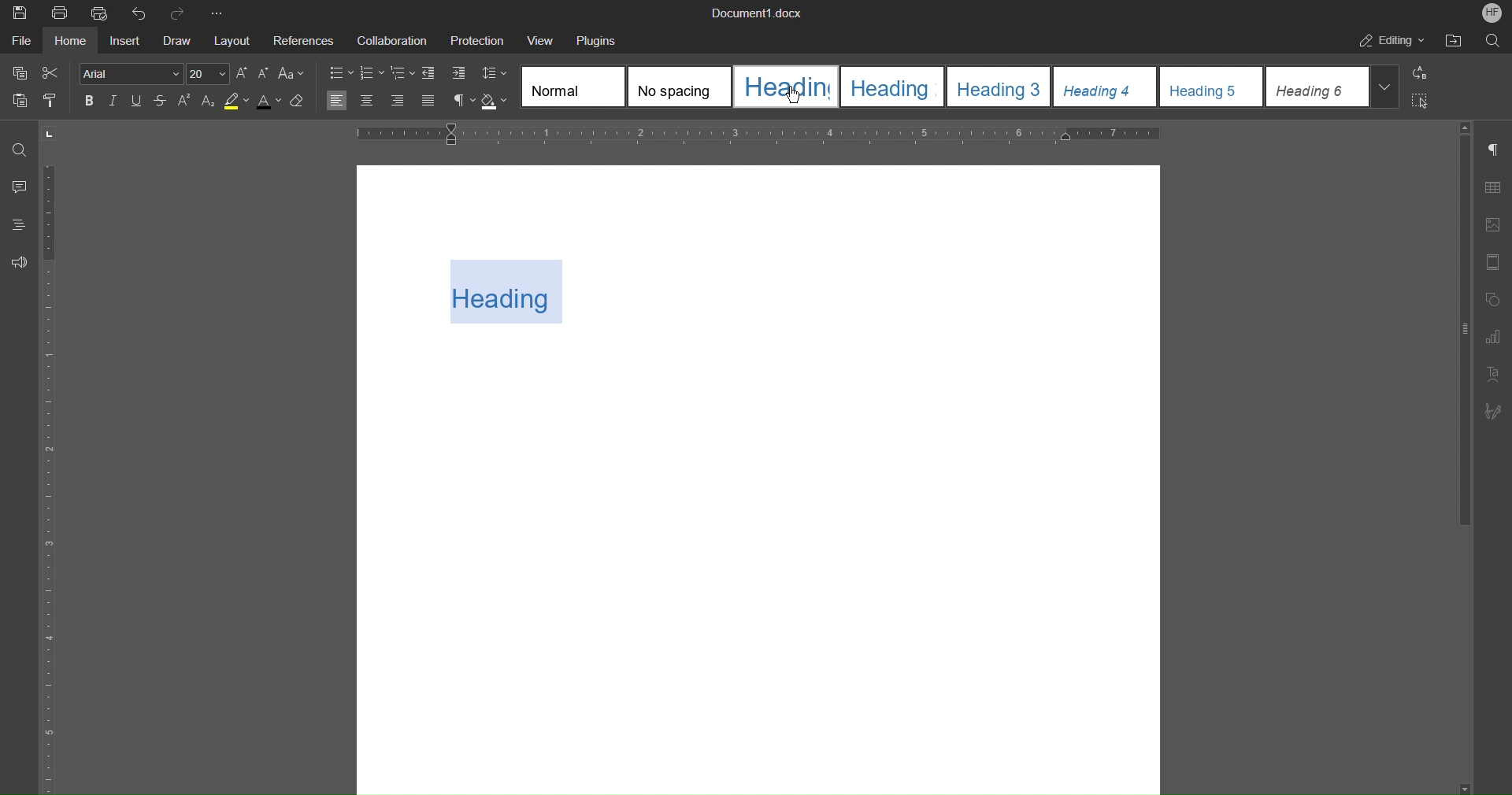  Describe the element at coordinates (208, 74) in the screenshot. I see `Font Size` at that location.